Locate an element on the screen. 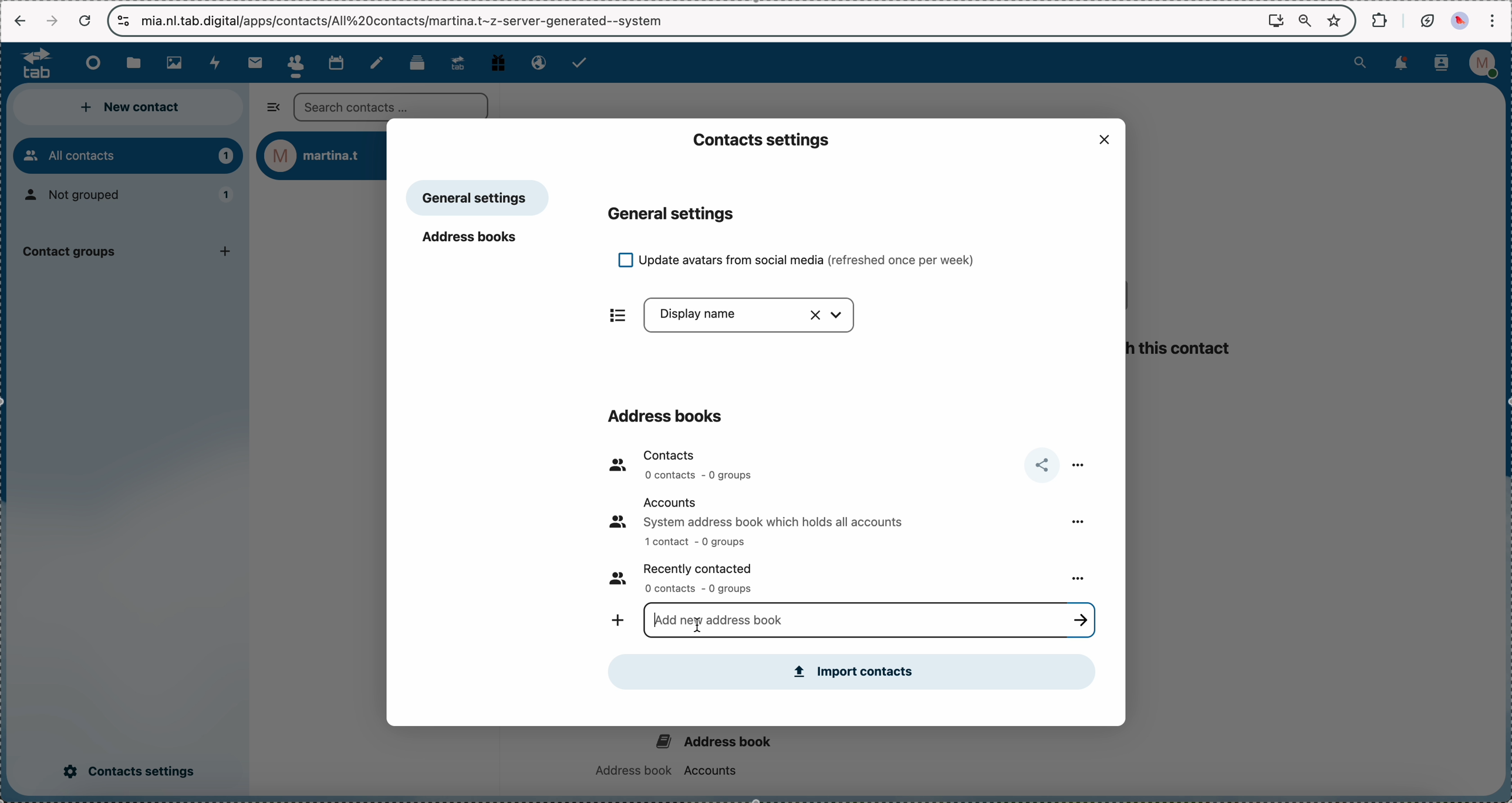 Image resolution: width=1512 pixels, height=803 pixels. more options is located at coordinates (1081, 463).